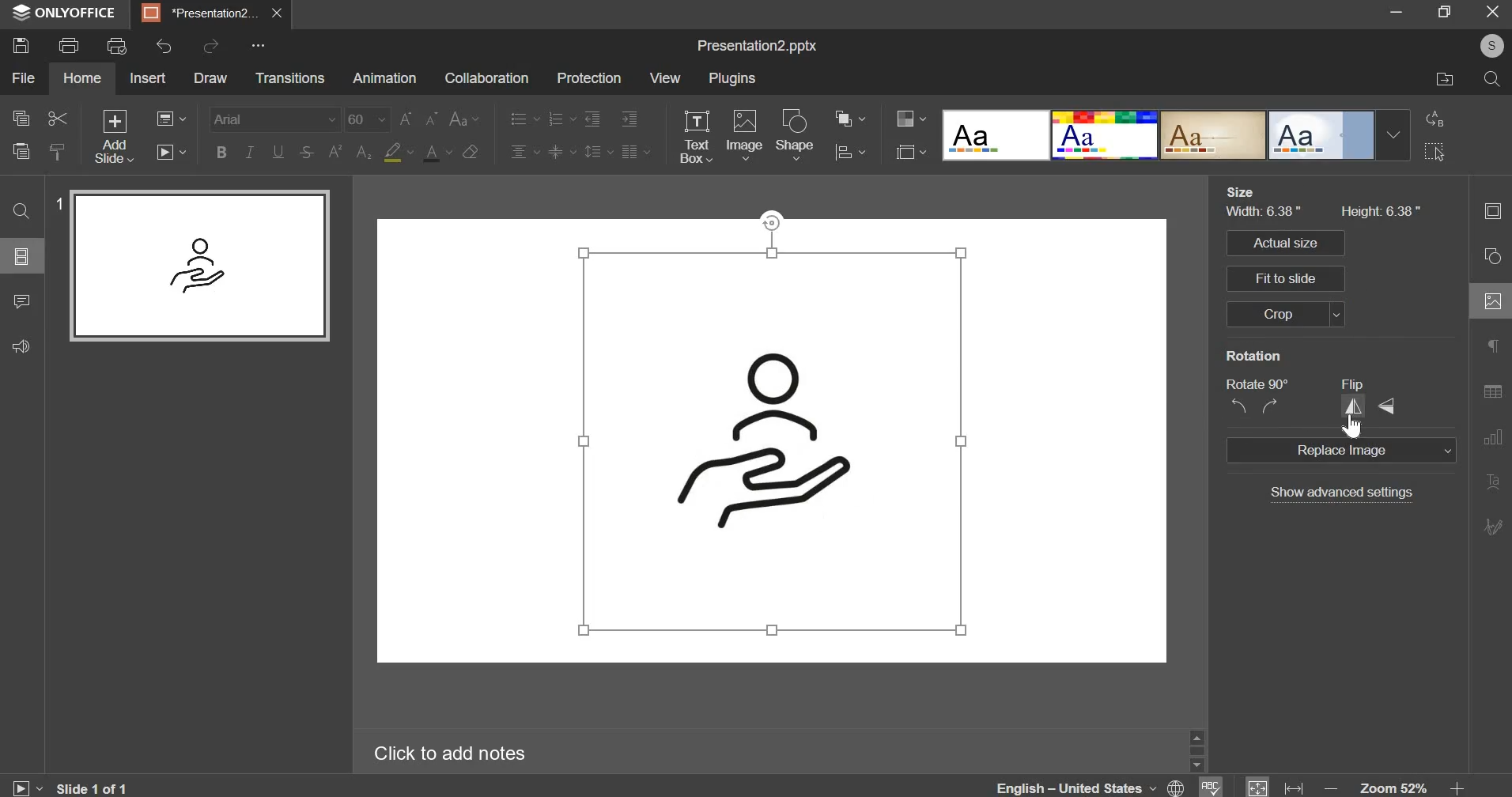 The height and width of the screenshot is (797, 1512). I want to click on bold,italic,underline & strikethrough, so click(264, 152).